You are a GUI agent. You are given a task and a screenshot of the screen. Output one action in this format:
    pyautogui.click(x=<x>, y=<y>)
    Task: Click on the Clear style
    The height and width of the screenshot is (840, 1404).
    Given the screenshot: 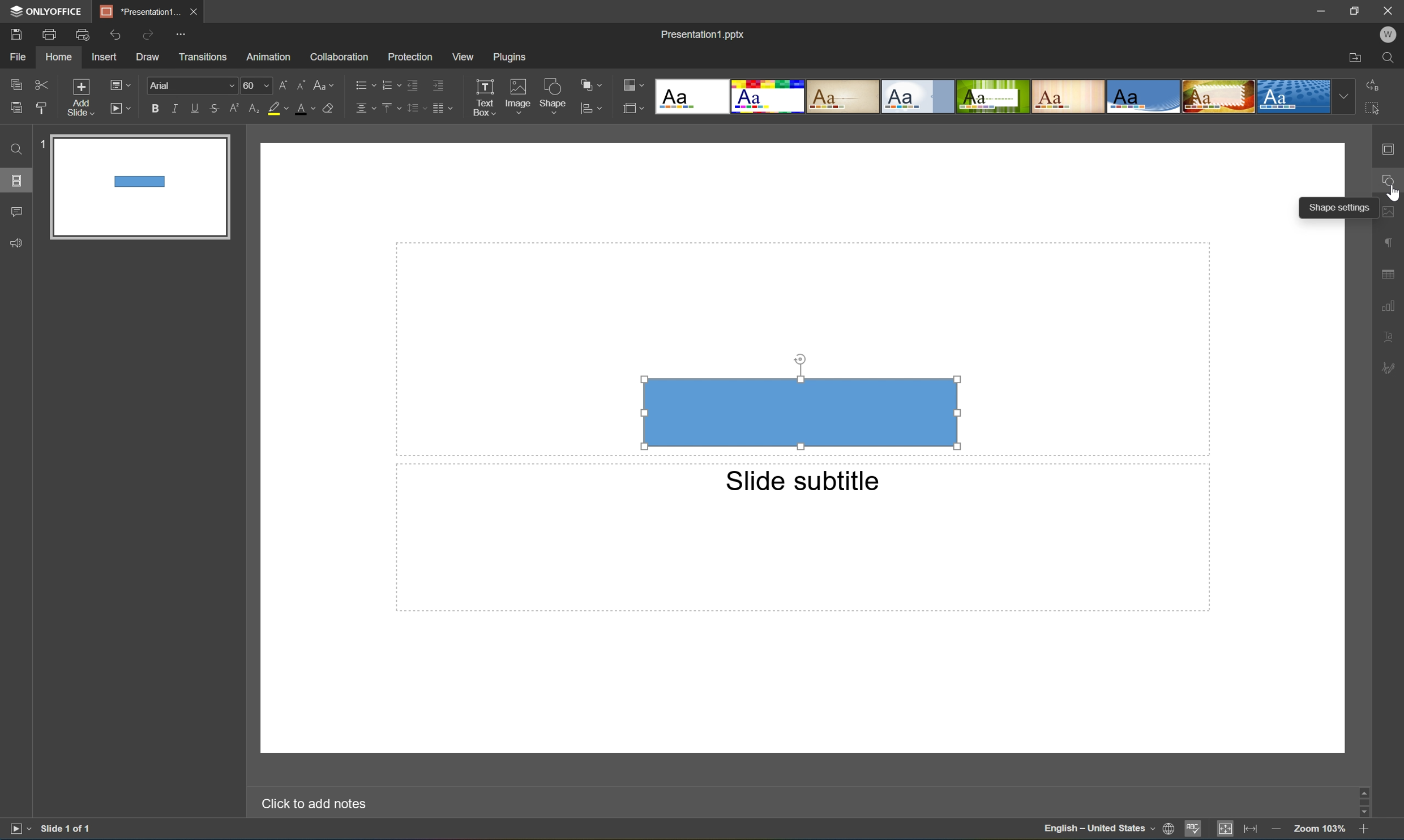 What is the action you would take?
    pyautogui.click(x=335, y=109)
    